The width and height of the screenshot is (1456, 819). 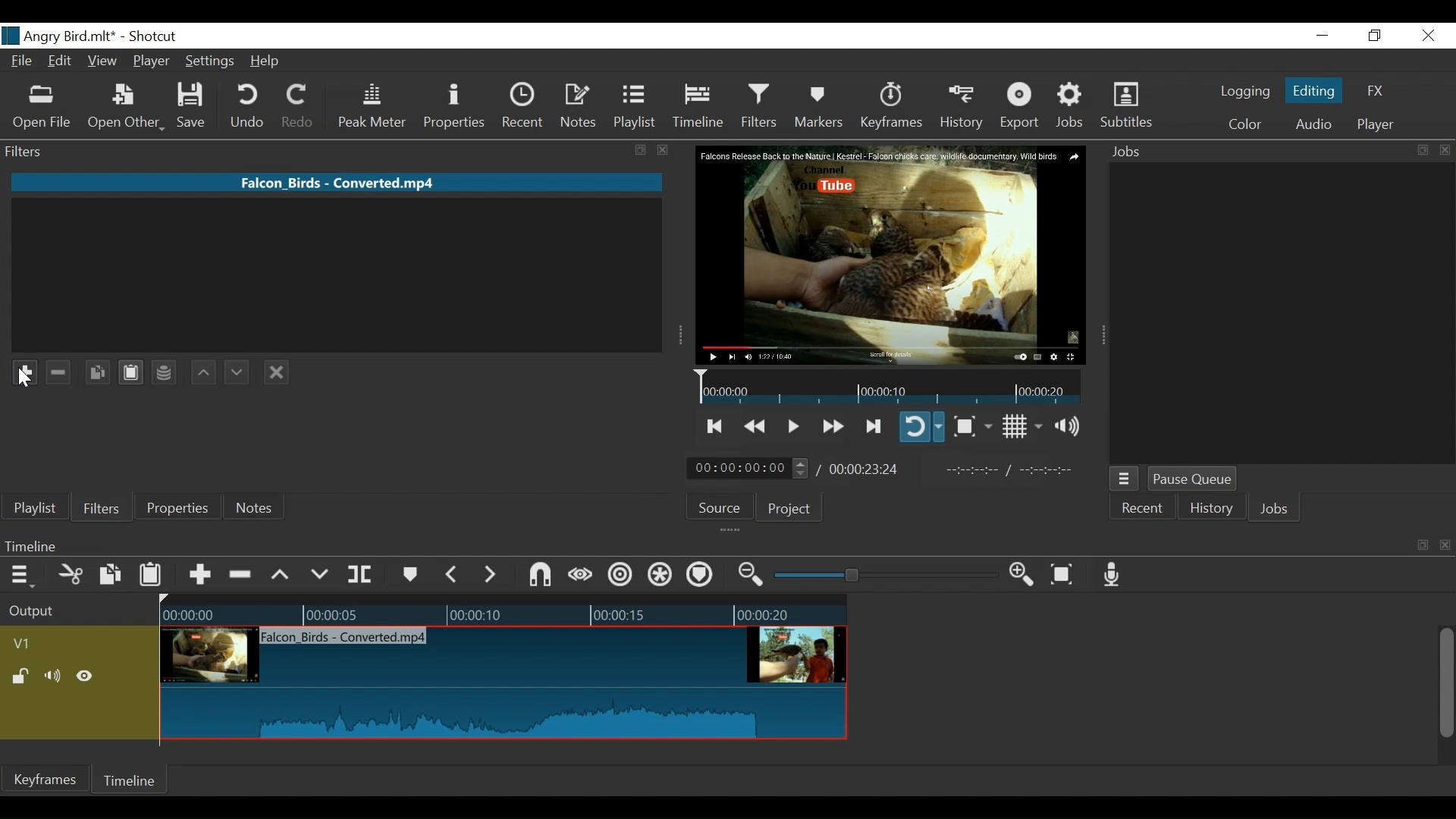 What do you see at coordinates (249, 106) in the screenshot?
I see `Undo` at bounding box center [249, 106].